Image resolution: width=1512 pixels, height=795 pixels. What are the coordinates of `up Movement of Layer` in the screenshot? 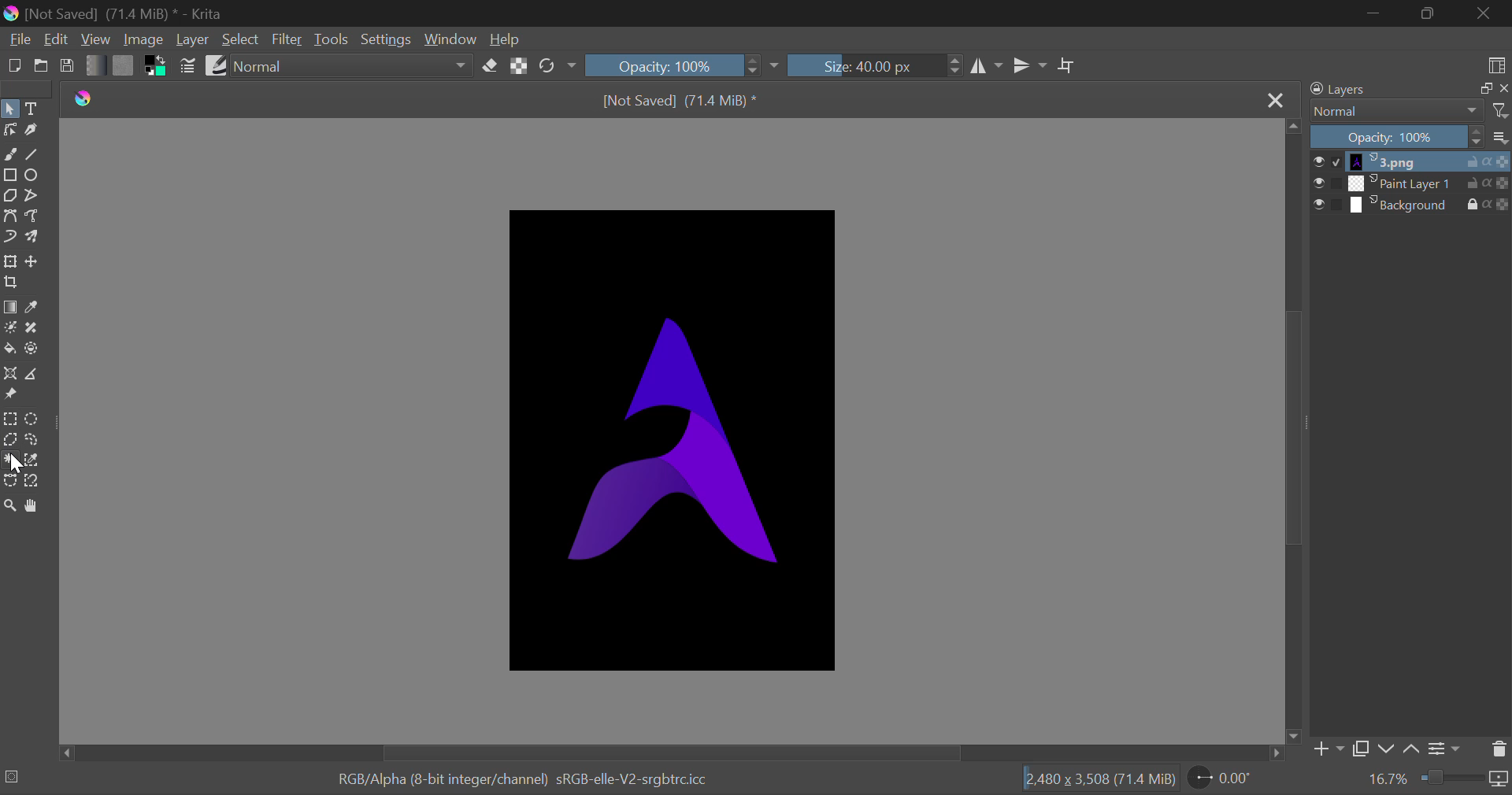 It's located at (1411, 749).